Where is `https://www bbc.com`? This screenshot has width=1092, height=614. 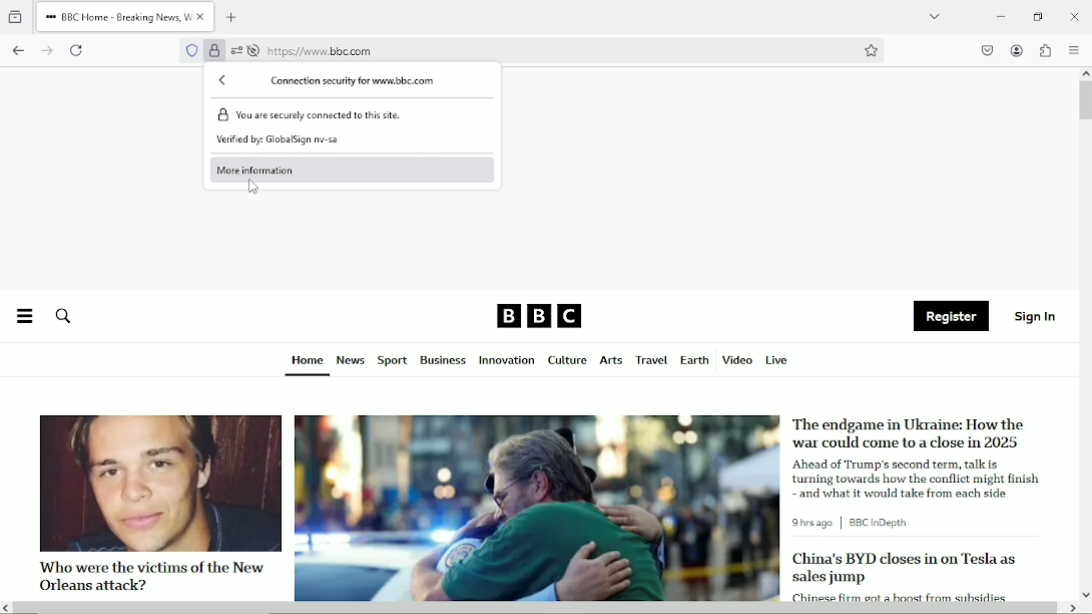
https://www bbc.com is located at coordinates (321, 51).